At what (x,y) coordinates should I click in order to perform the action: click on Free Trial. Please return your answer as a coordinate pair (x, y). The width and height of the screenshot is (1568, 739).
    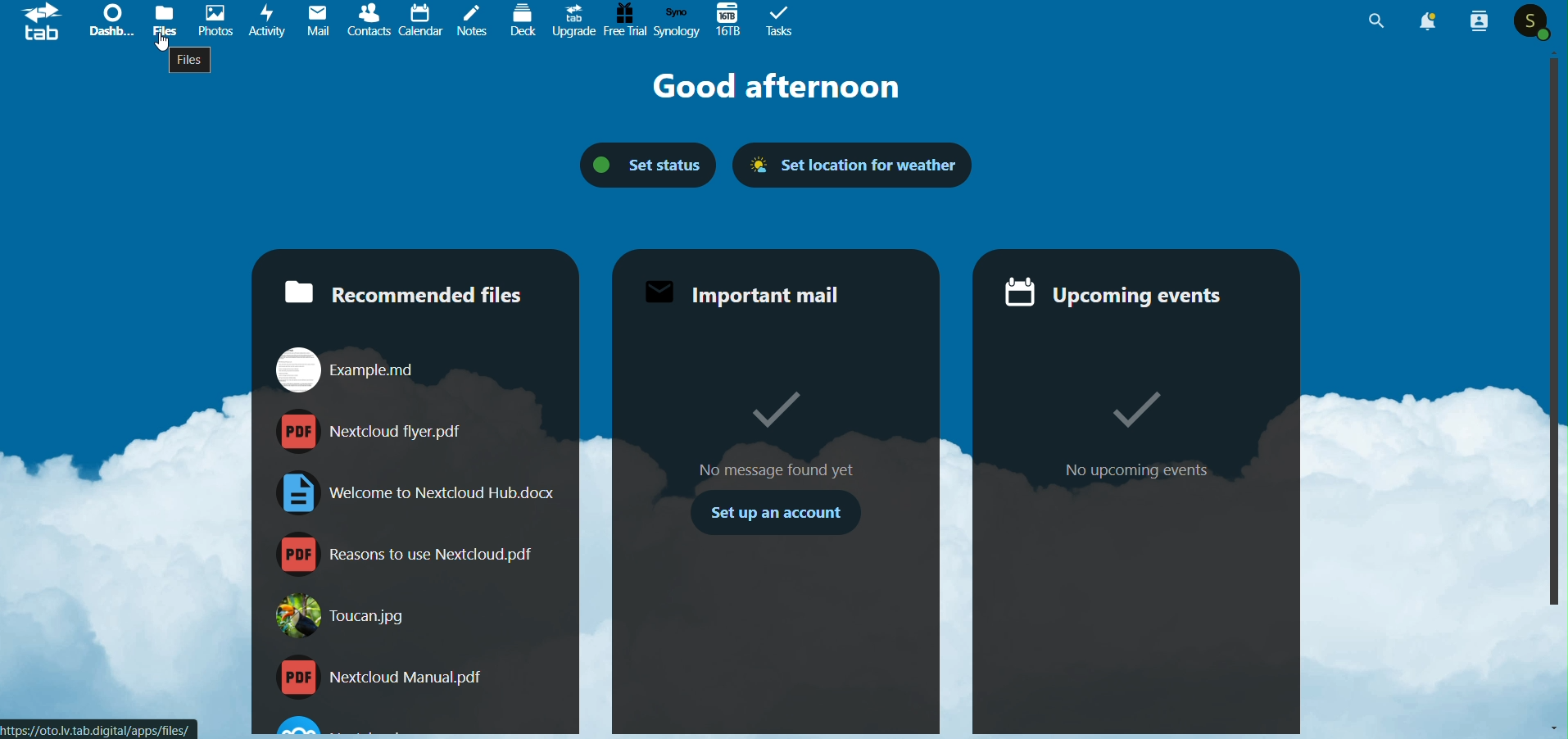
    Looking at the image, I should click on (625, 20).